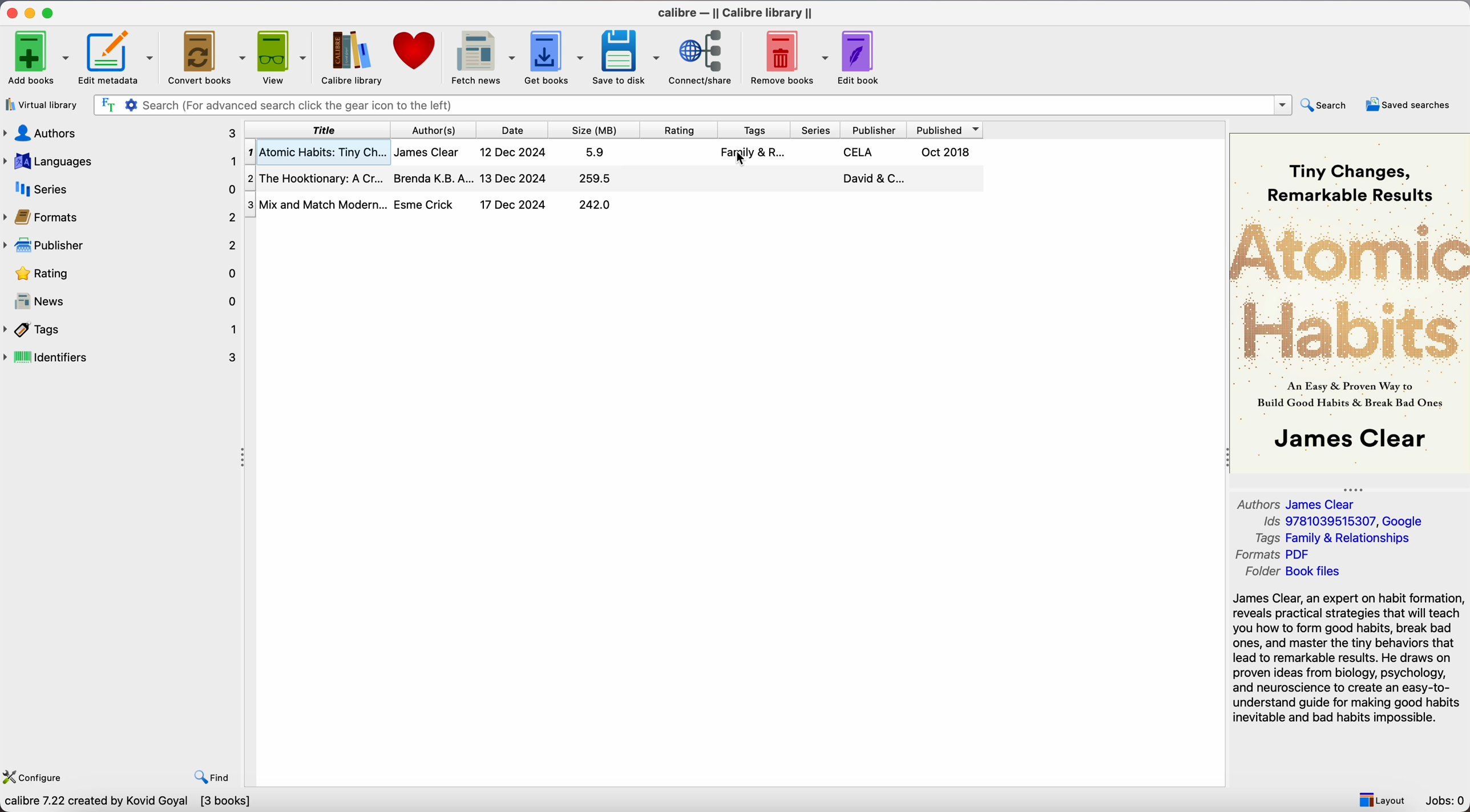 The image size is (1470, 812). What do you see at coordinates (427, 204) in the screenshot?
I see `Esme Crick` at bounding box center [427, 204].